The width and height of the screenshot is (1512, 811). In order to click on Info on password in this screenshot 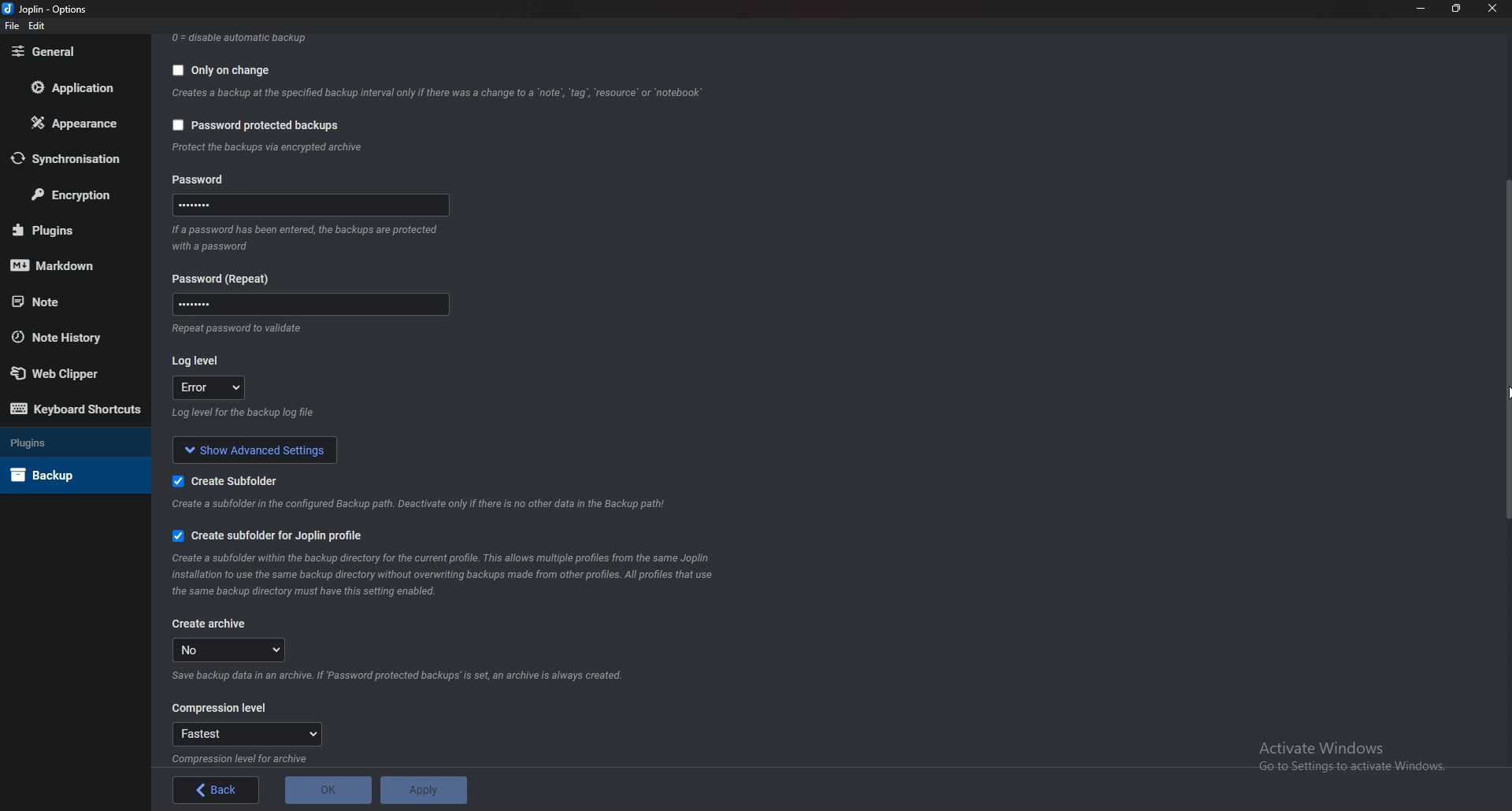, I will do `click(306, 239)`.